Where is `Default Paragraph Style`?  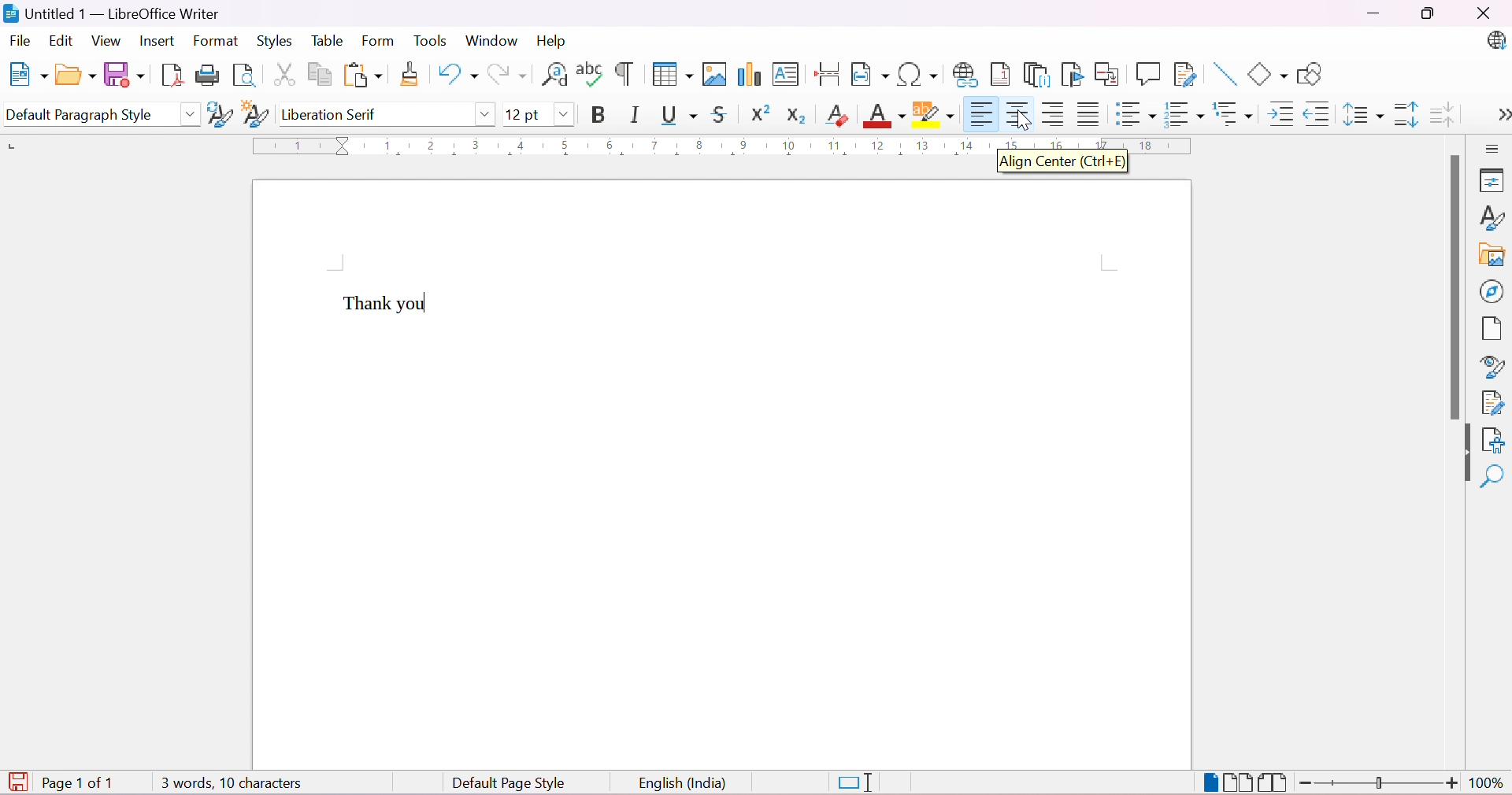
Default Paragraph Style is located at coordinates (86, 115).